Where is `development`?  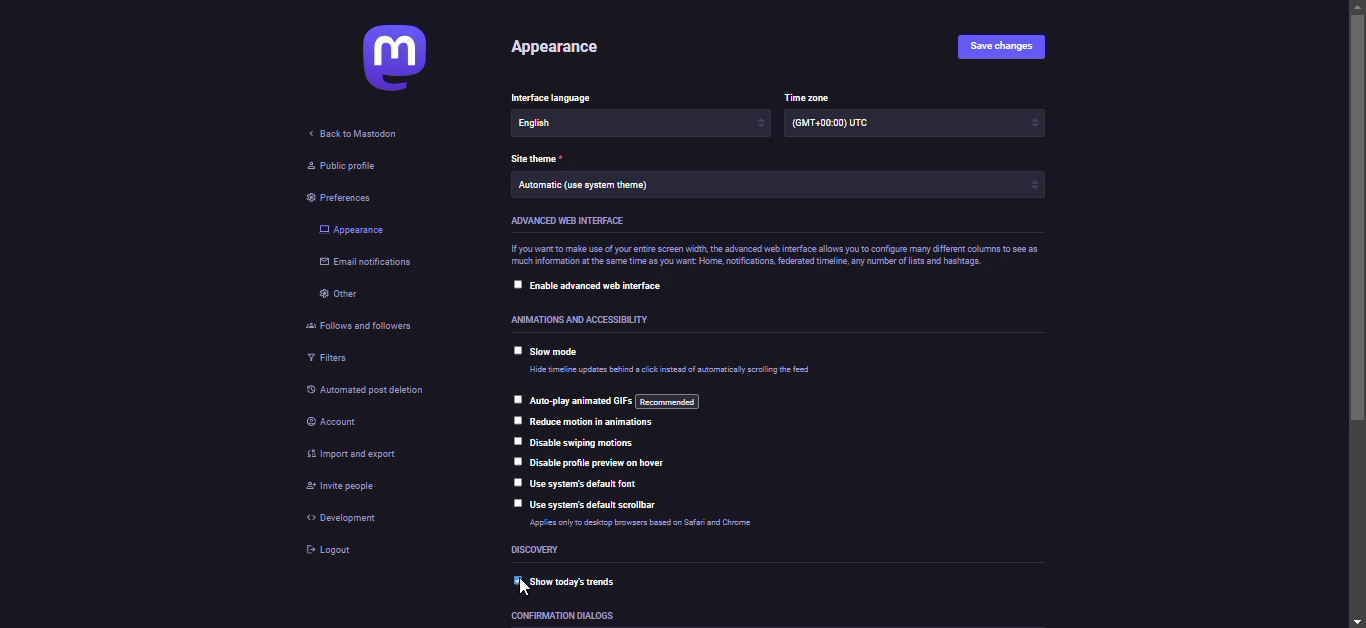
development is located at coordinates (345, 517).